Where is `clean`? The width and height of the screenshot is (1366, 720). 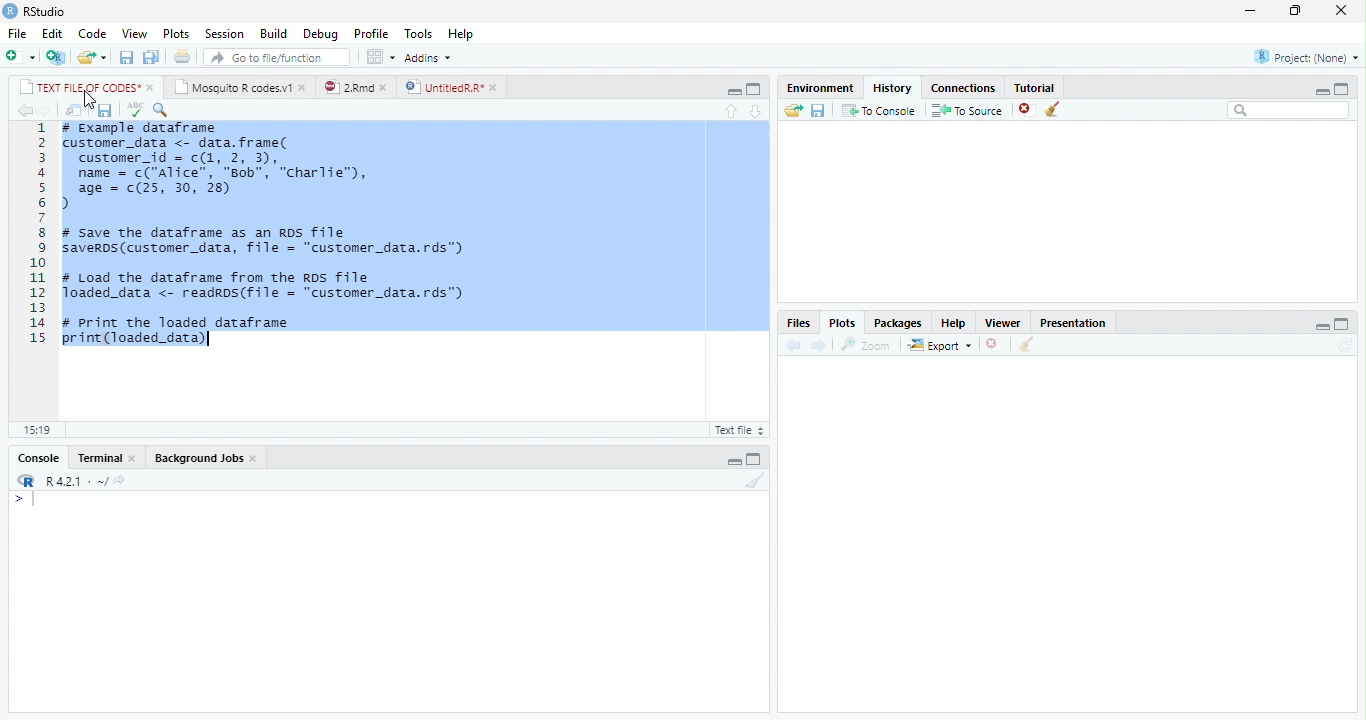 clean is located at coordinates (1027, 344).